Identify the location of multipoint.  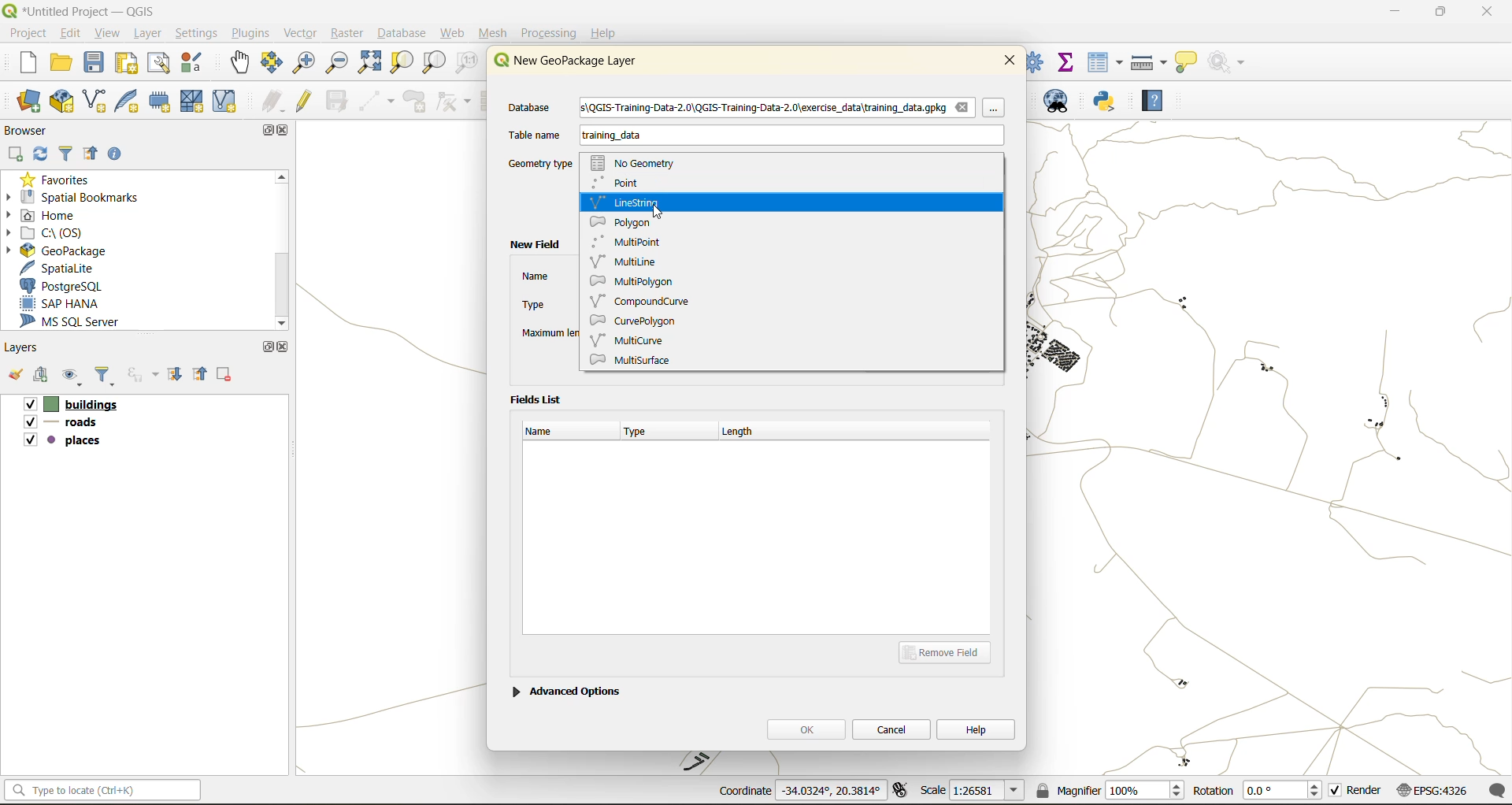
(633, 240).